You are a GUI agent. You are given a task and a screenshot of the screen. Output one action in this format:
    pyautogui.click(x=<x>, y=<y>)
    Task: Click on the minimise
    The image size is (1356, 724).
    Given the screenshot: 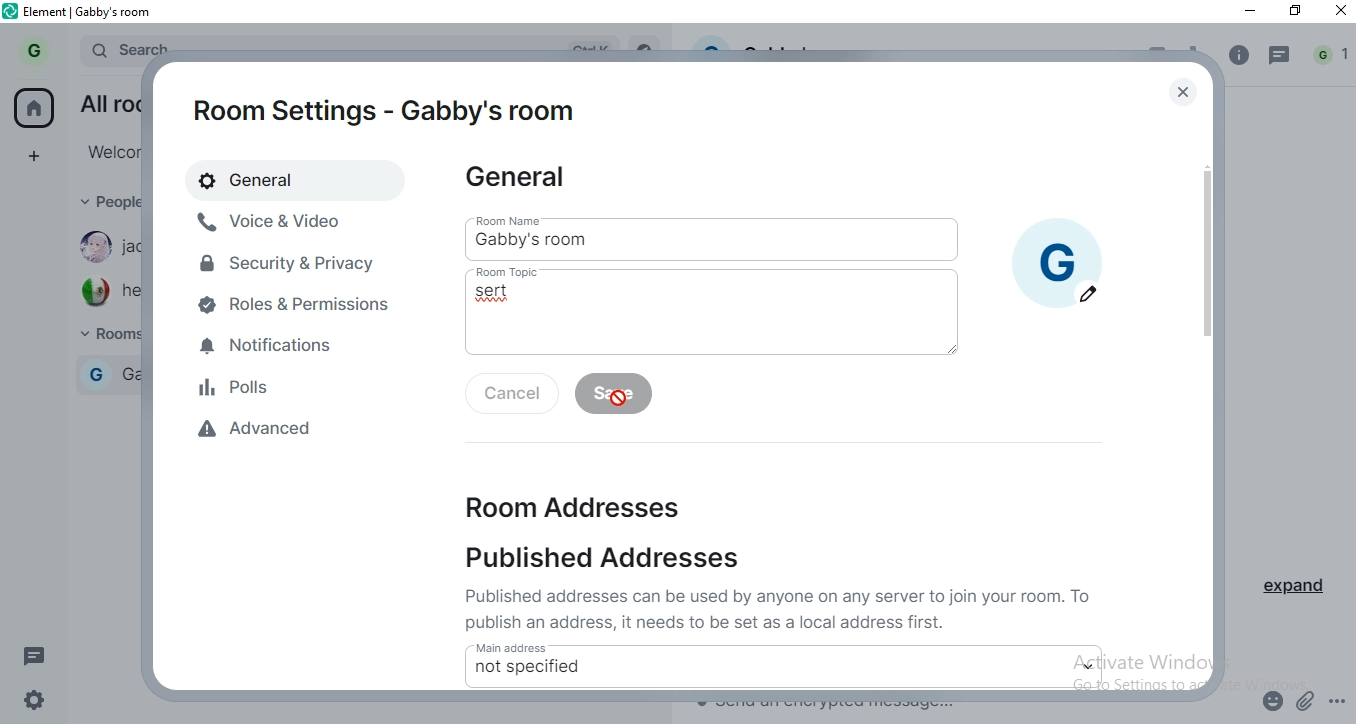 What is the action you would take?
    pyautogui.click(x=1250, y=14)
    